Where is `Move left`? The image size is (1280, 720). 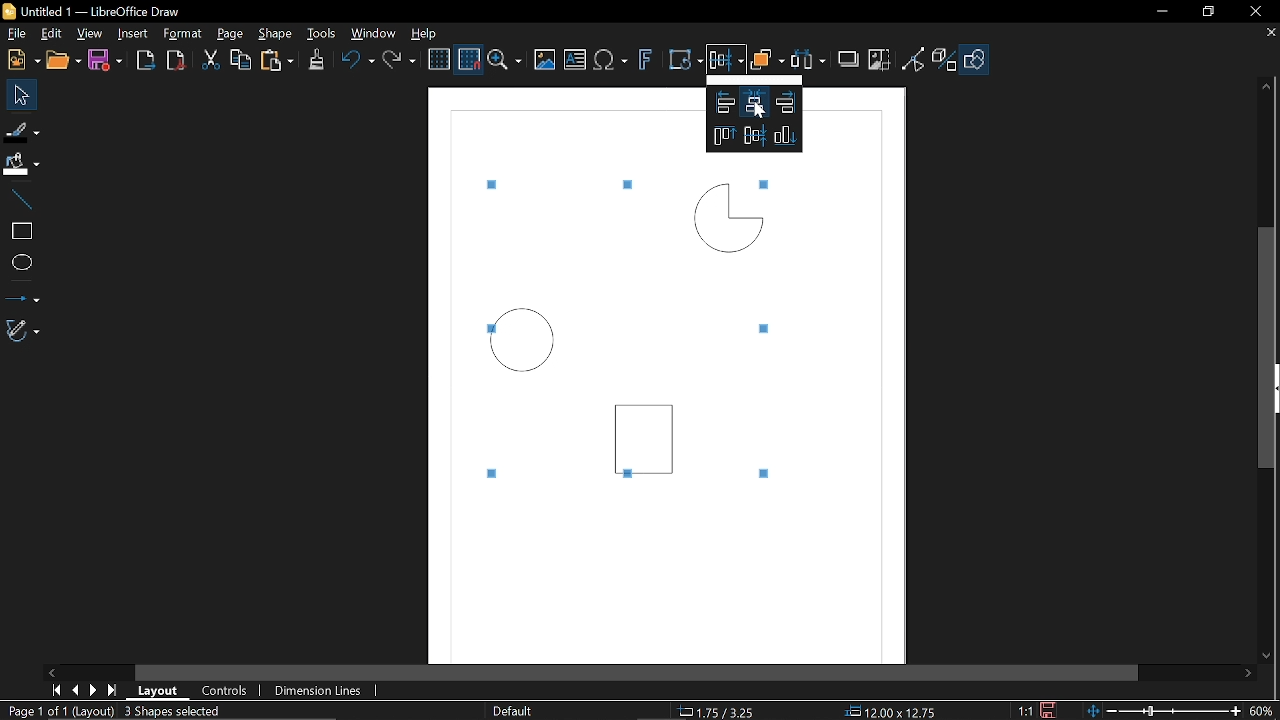
Move left is located at coordinates (51, 671).